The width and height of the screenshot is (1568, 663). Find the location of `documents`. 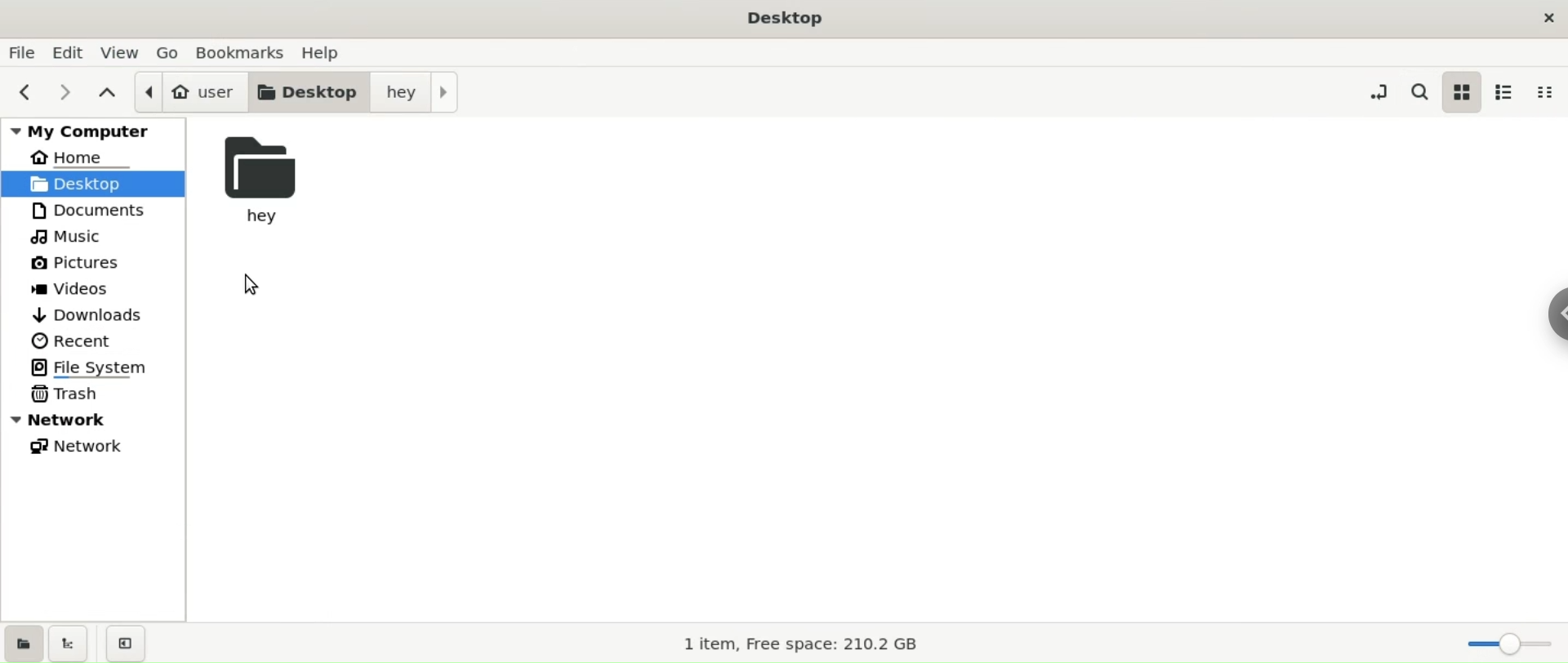

documents is located at coordinates (104, 211).